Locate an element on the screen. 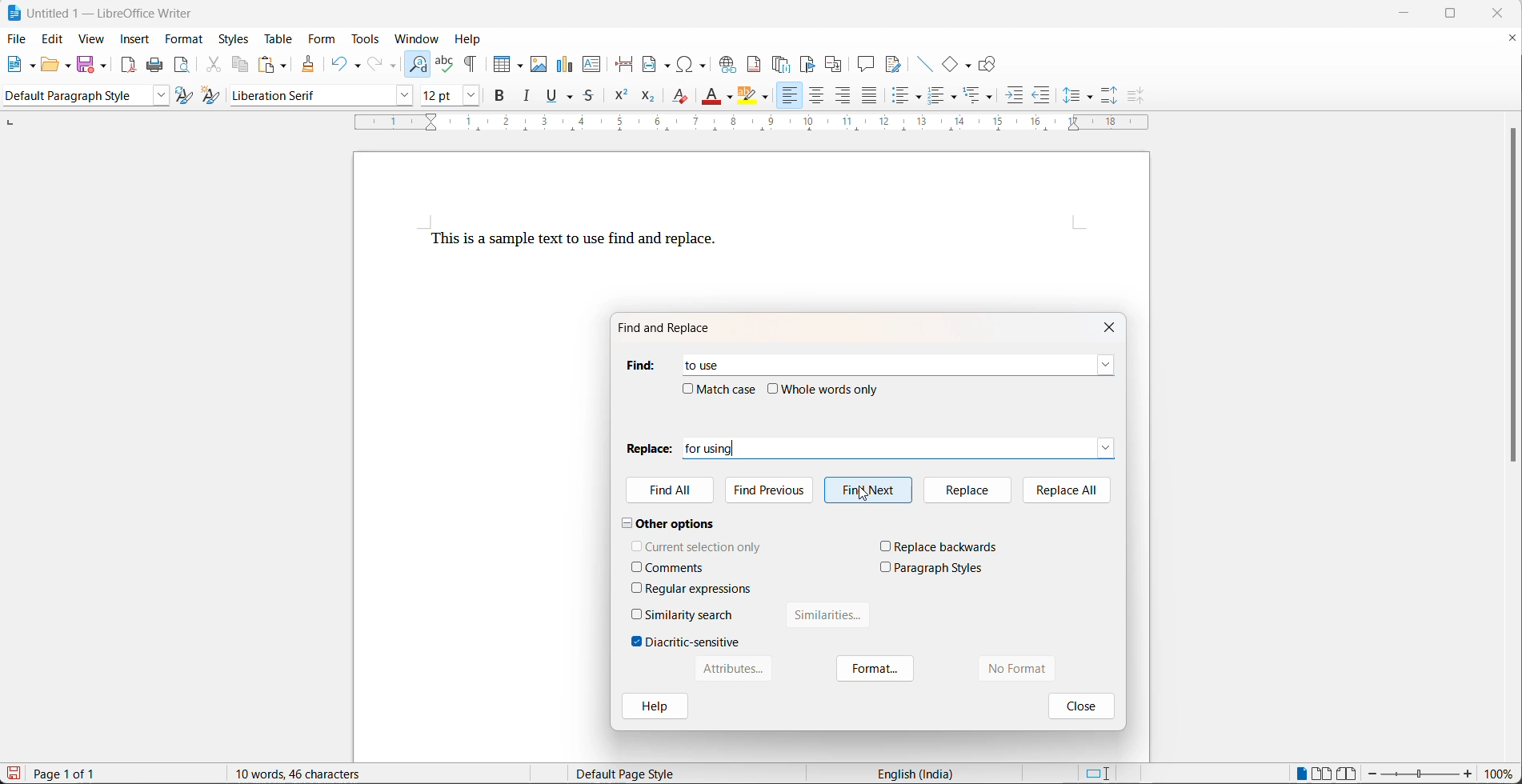 This screenshot has height=784, width=1522. whole words only is located at coordinates (831, 389).